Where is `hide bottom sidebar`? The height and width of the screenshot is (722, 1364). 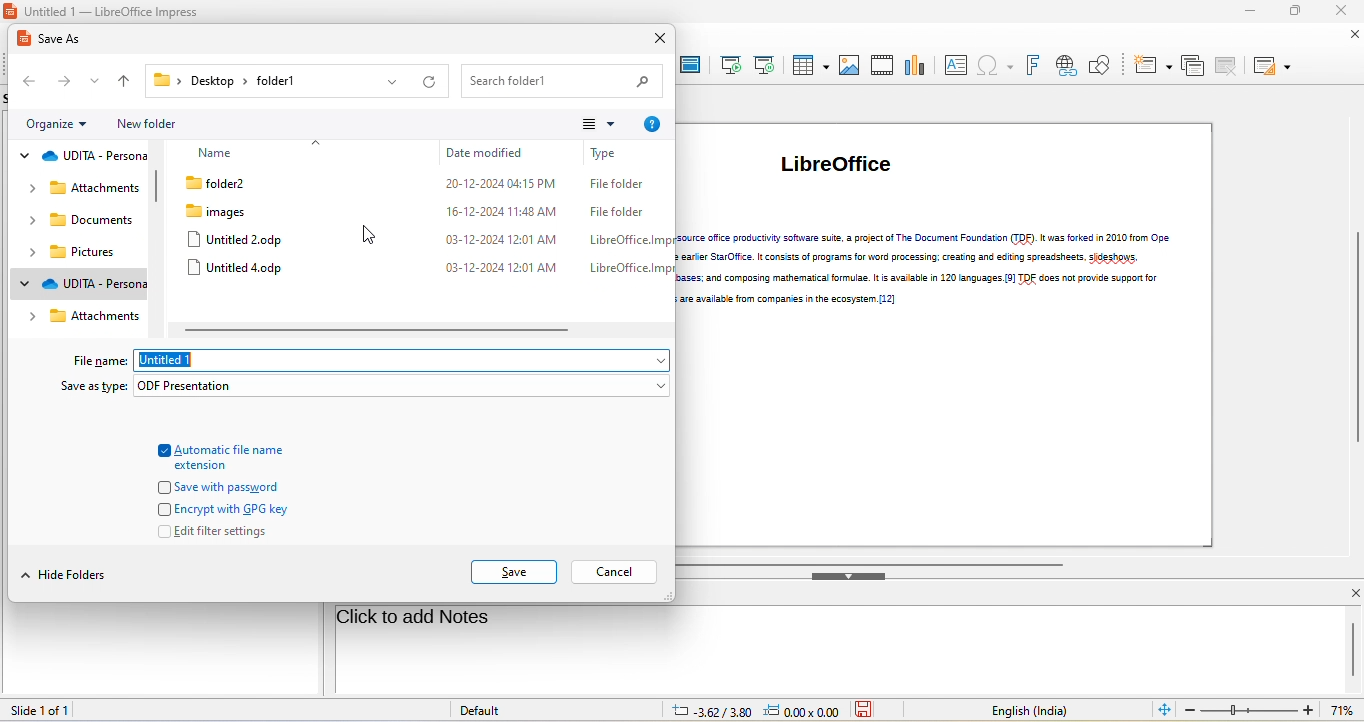 hide bottom sidebar is located at coordinates (850, 576).